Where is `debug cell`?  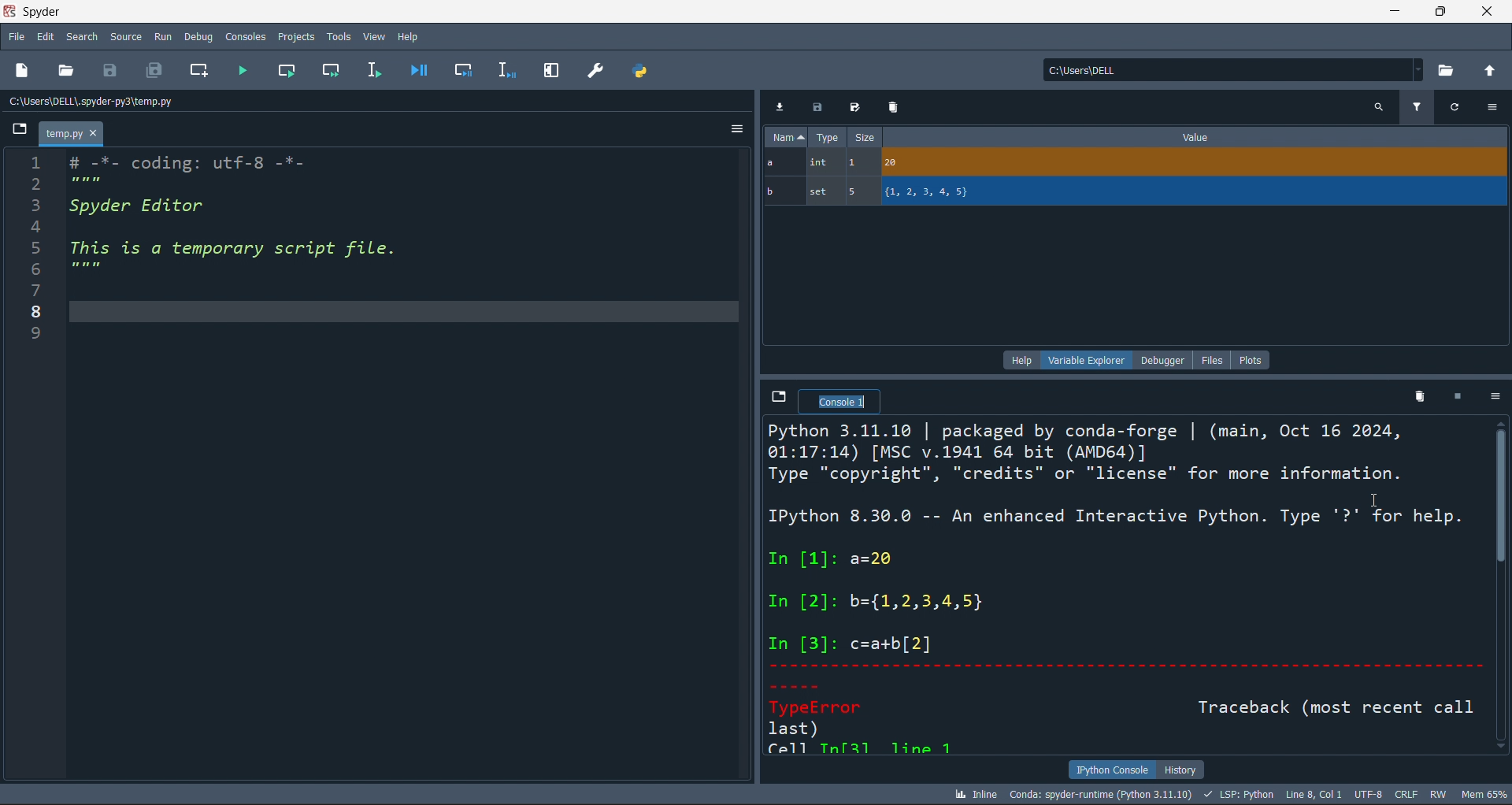
debug cell is located at coordinates (455, 70).